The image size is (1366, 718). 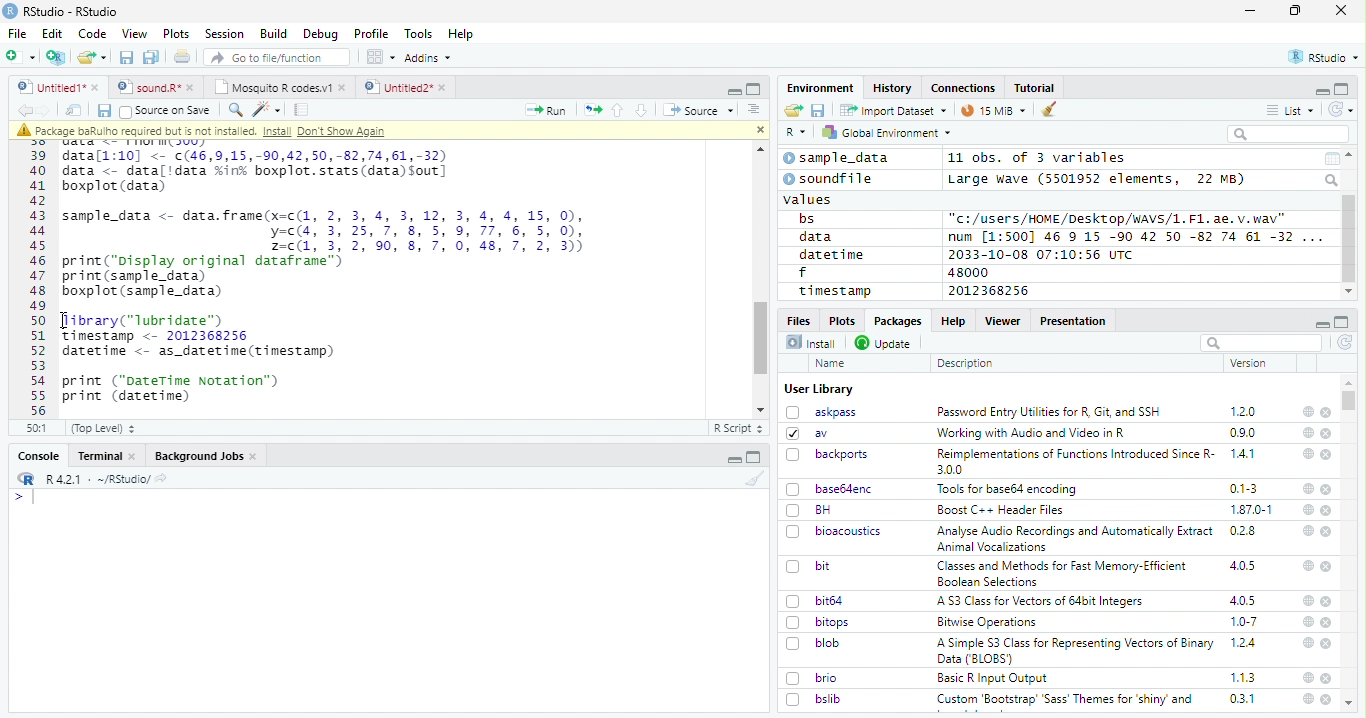 What do you see at coordinates (39, 282) in the screenshot?
I see `Numbering line` at bounding box center [39, 282].